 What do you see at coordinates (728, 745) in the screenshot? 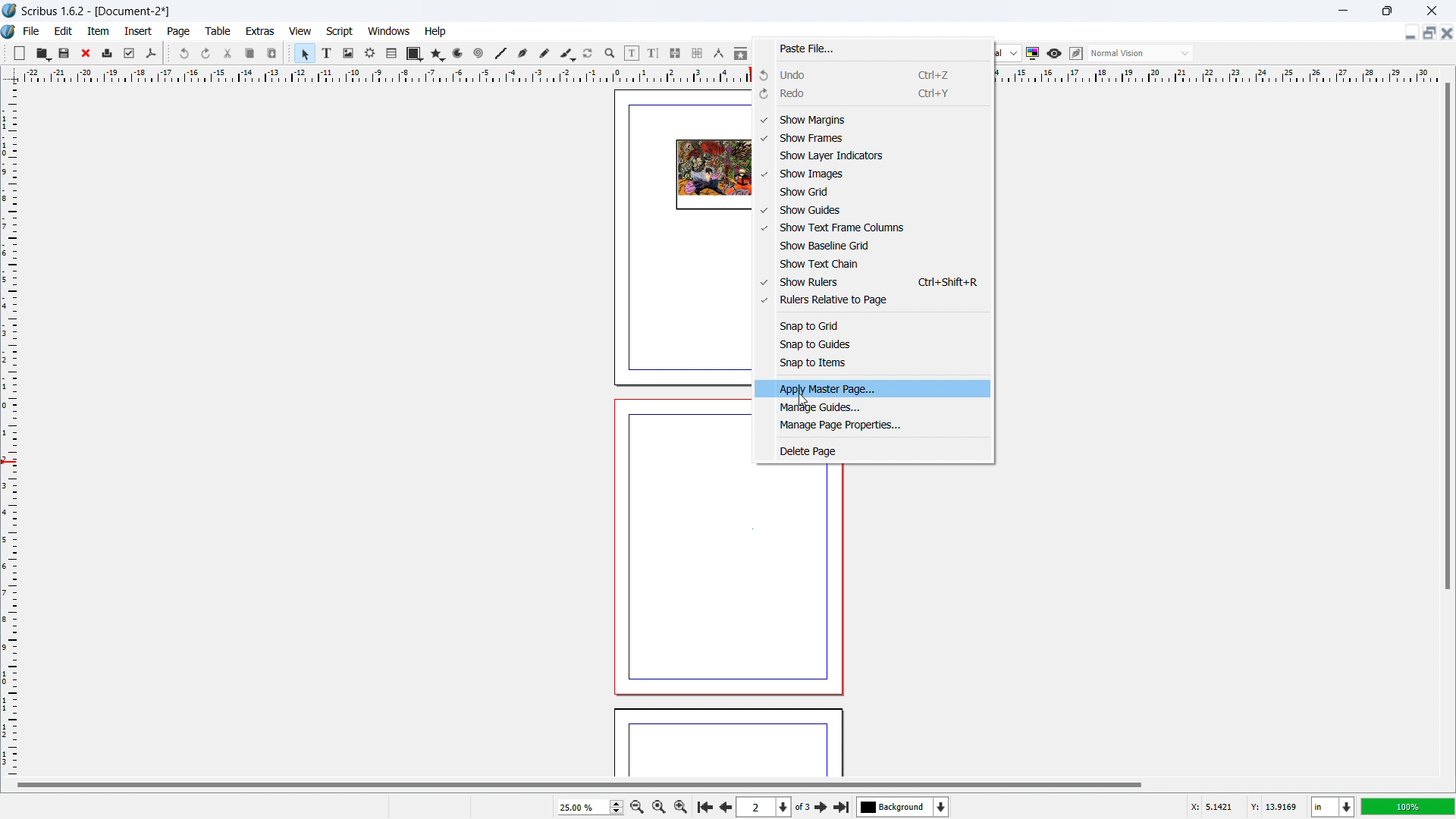
I see `page` at bounding box center [728, 745].